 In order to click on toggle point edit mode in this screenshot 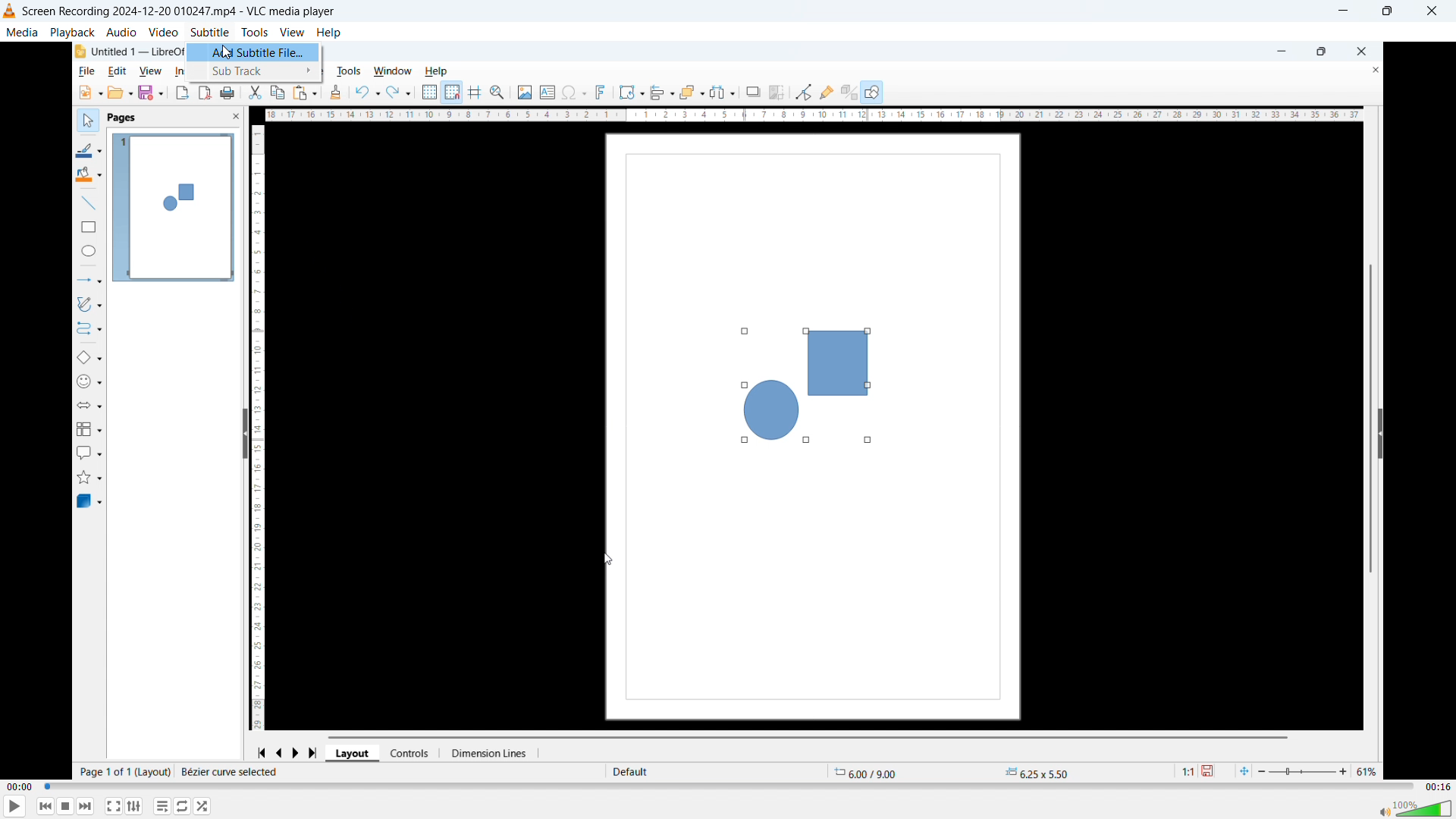, I will do `click(803, 91)`.